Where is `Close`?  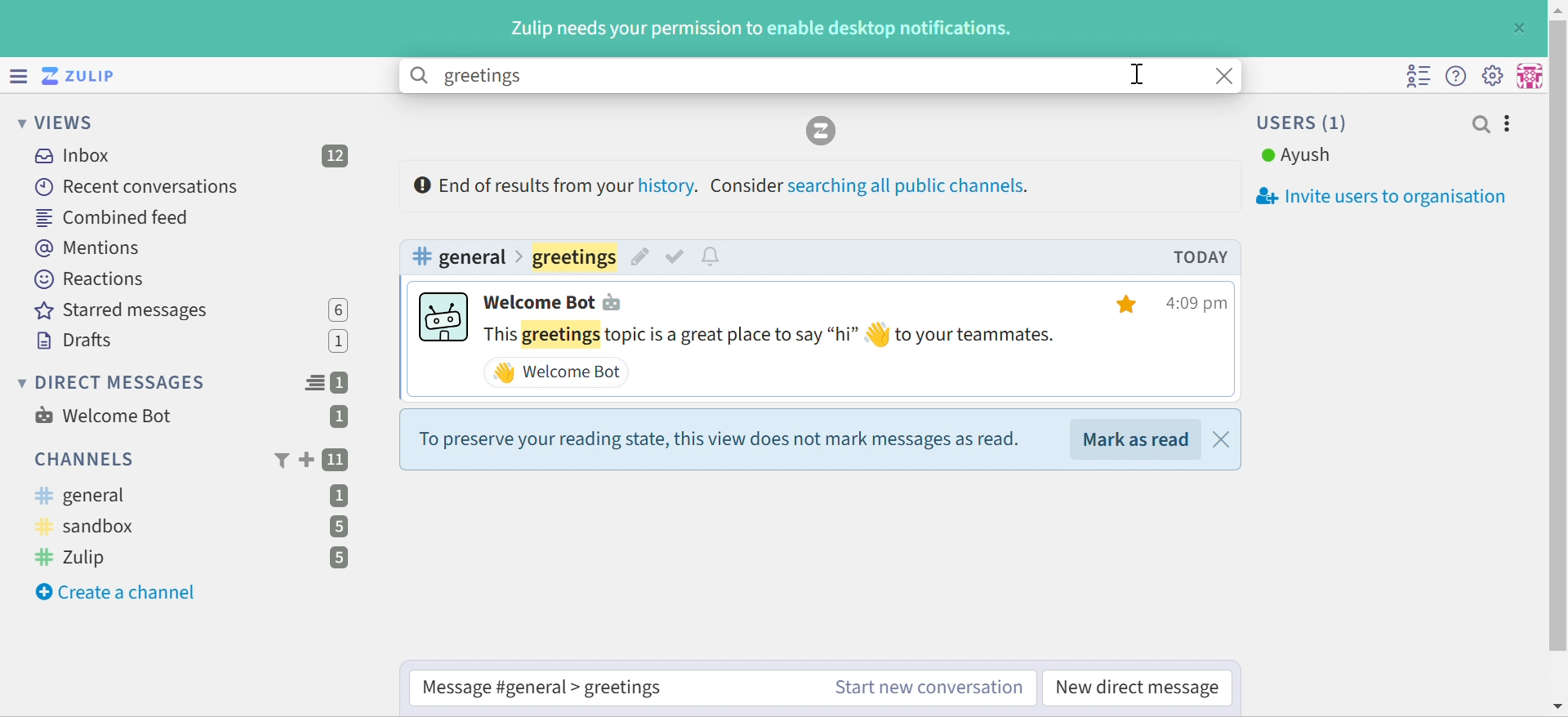
Close is located at coordinates (1227, 76).